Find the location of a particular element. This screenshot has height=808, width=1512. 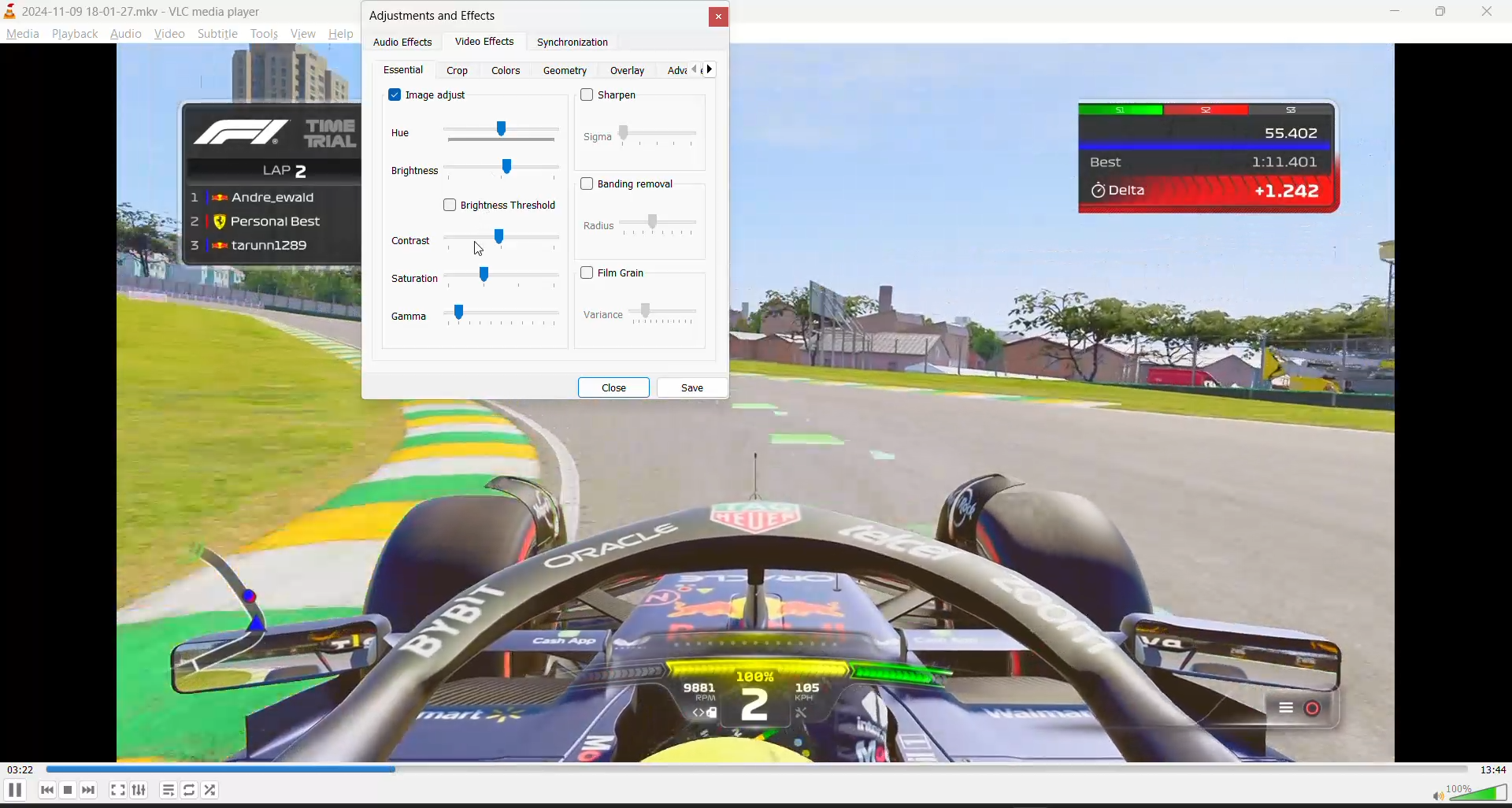

tools is located at coordinates (265, 32).